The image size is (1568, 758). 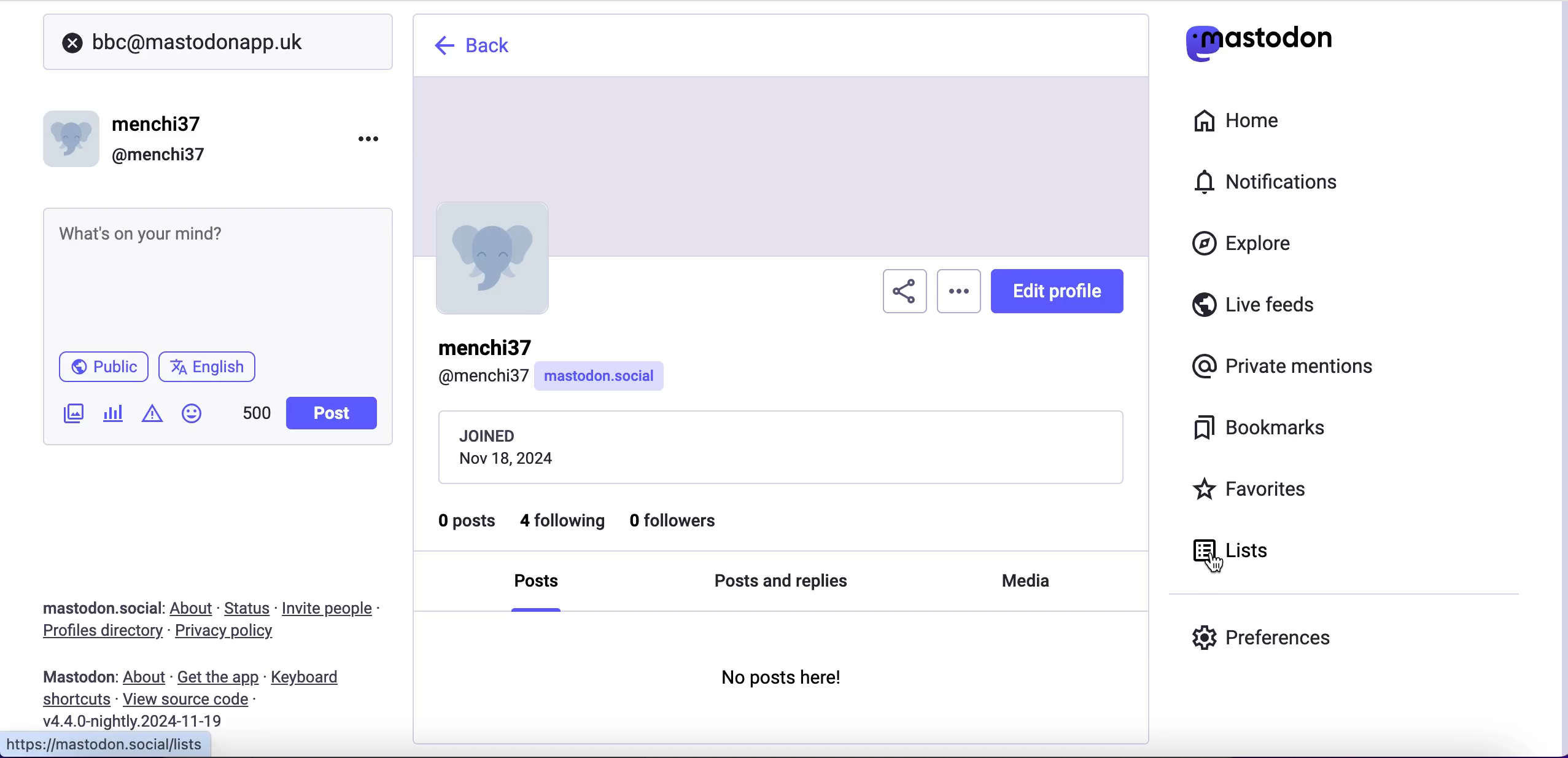 What do you see at coordinates (960, 294) in the screenshot?
I see `menu` at bounding box center [960, 294].